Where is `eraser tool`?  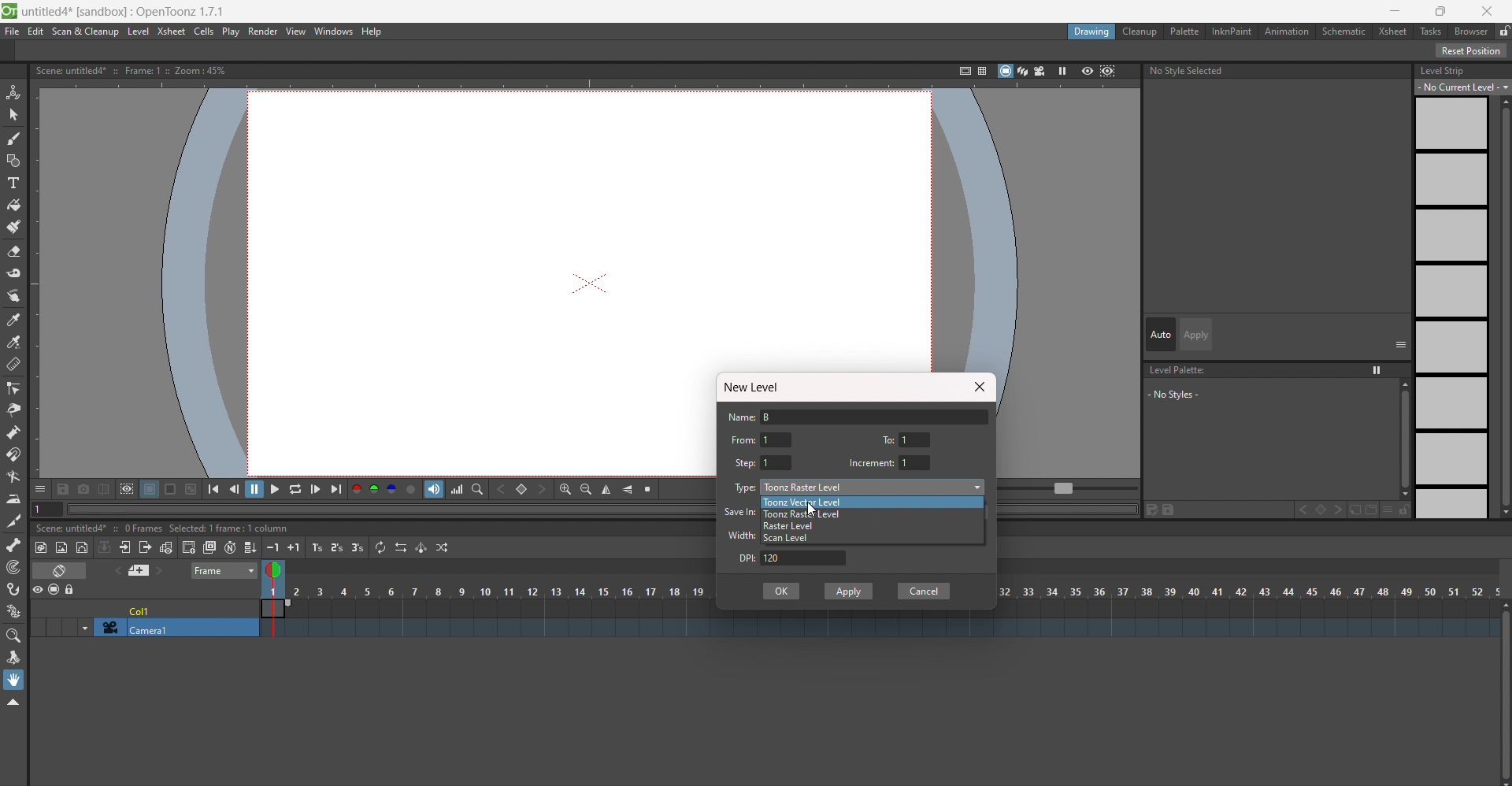 eraser tool is located at coordinates (14, 251).